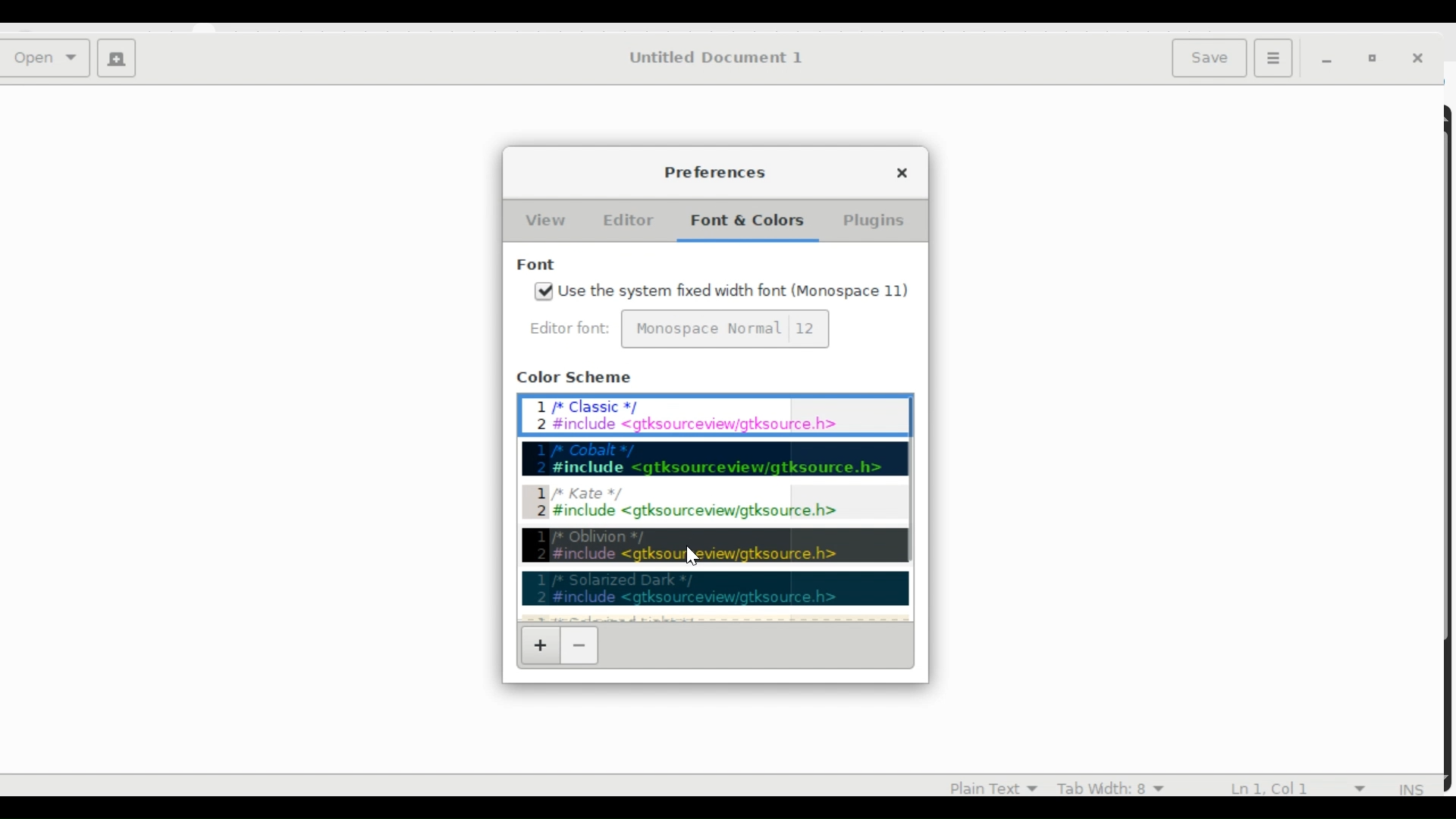  Describe the element at coordinates (1330, 60) in the screenshot. I see `minimize` at that location.